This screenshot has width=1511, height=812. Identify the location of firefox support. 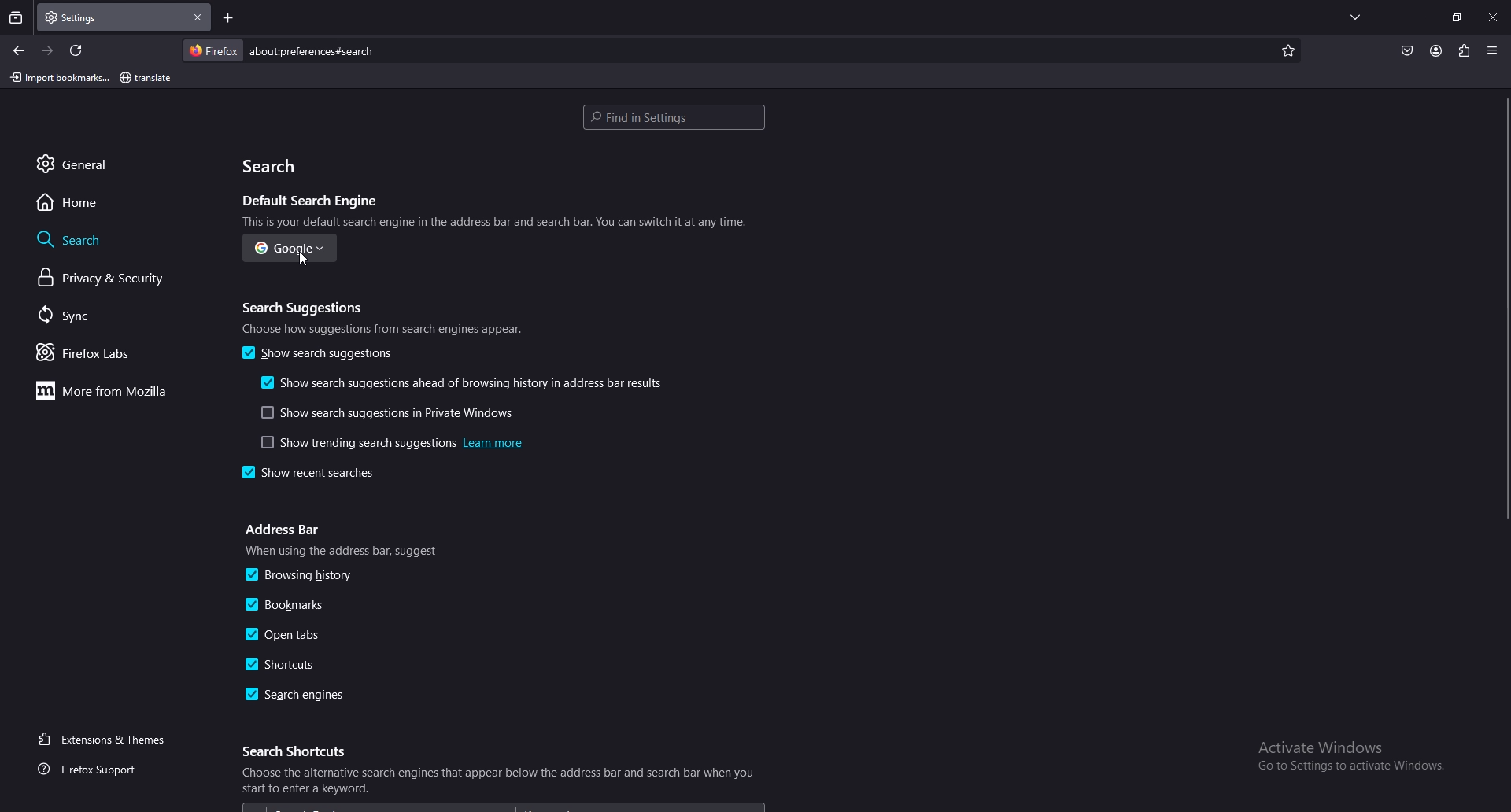
(103, 769).